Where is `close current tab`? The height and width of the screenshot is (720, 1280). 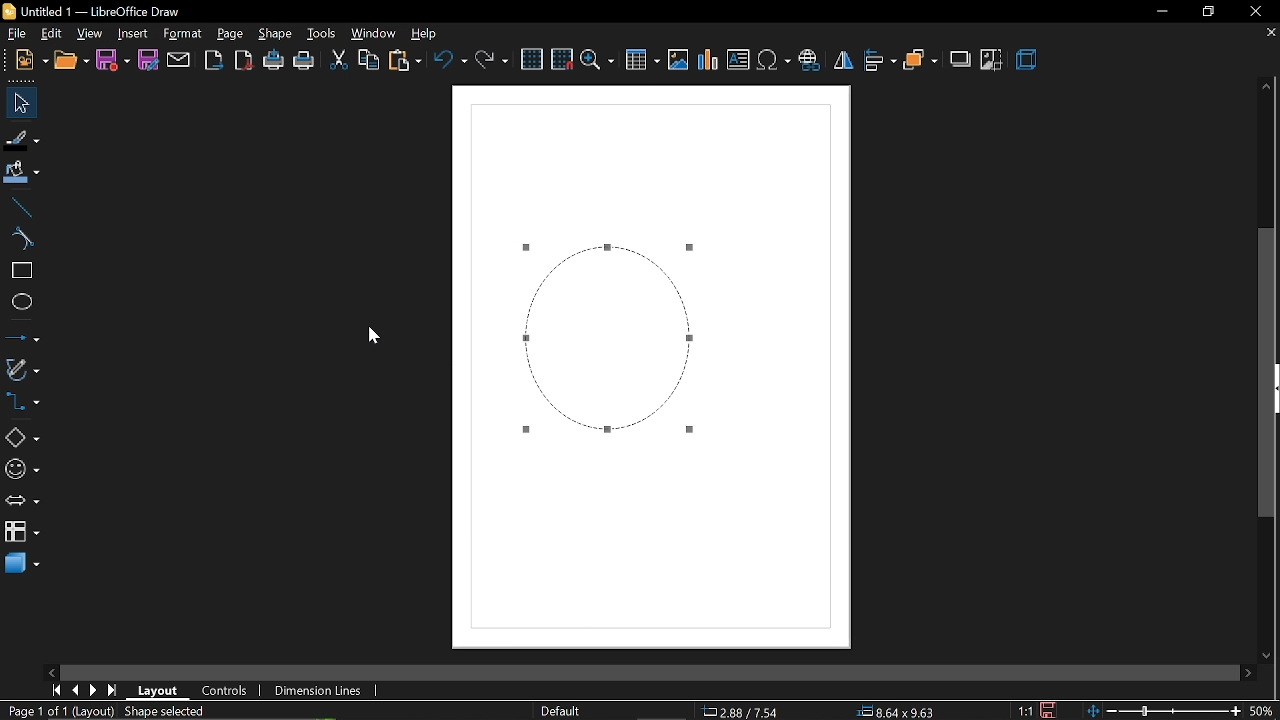 close current tab is located at coordinates (1269, 35).